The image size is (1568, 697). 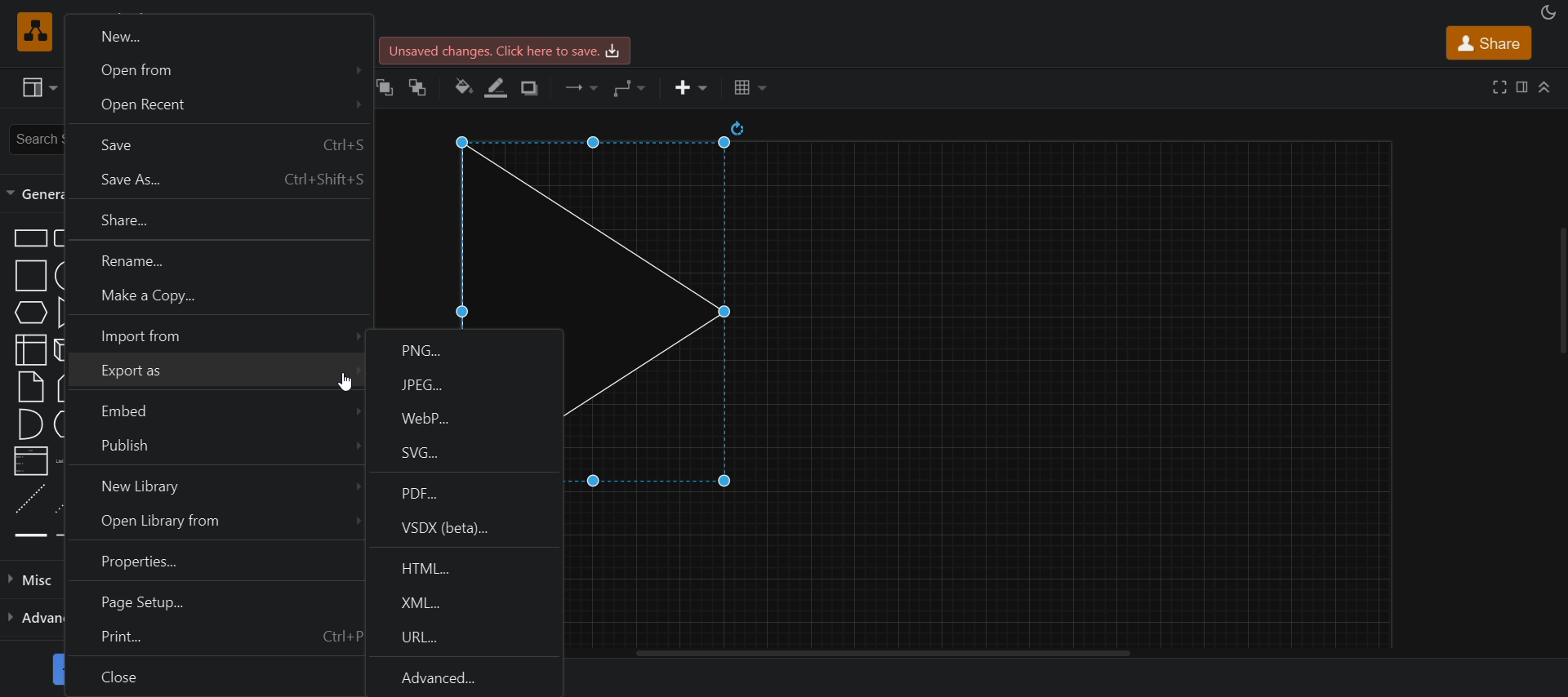 What do you see at coordinates (211, 449) in the screenshot?
I see `publish` at bounding box center [211, 449].